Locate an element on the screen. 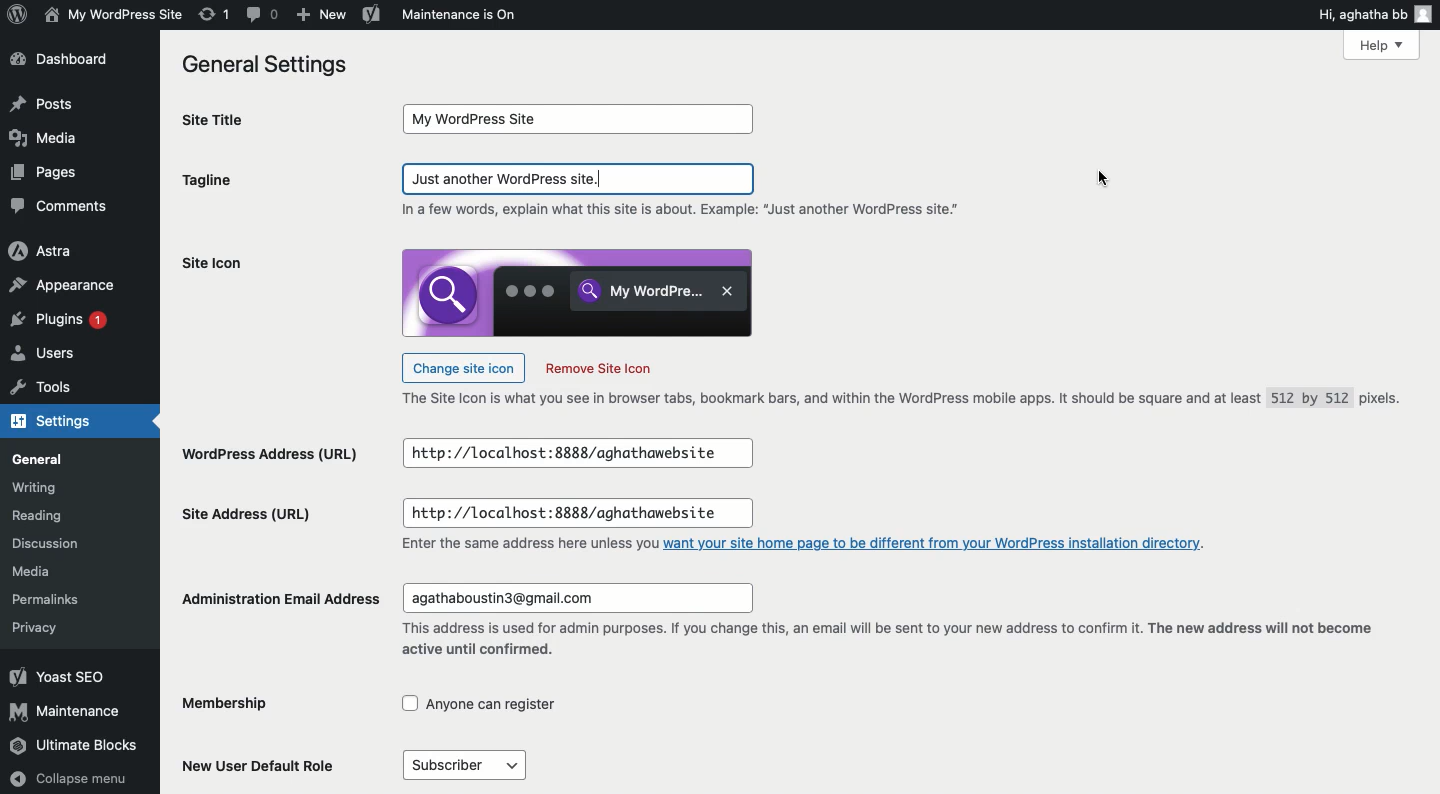 This screenshot has height=794, width=1440. Users is located at coordinates (46, 356).